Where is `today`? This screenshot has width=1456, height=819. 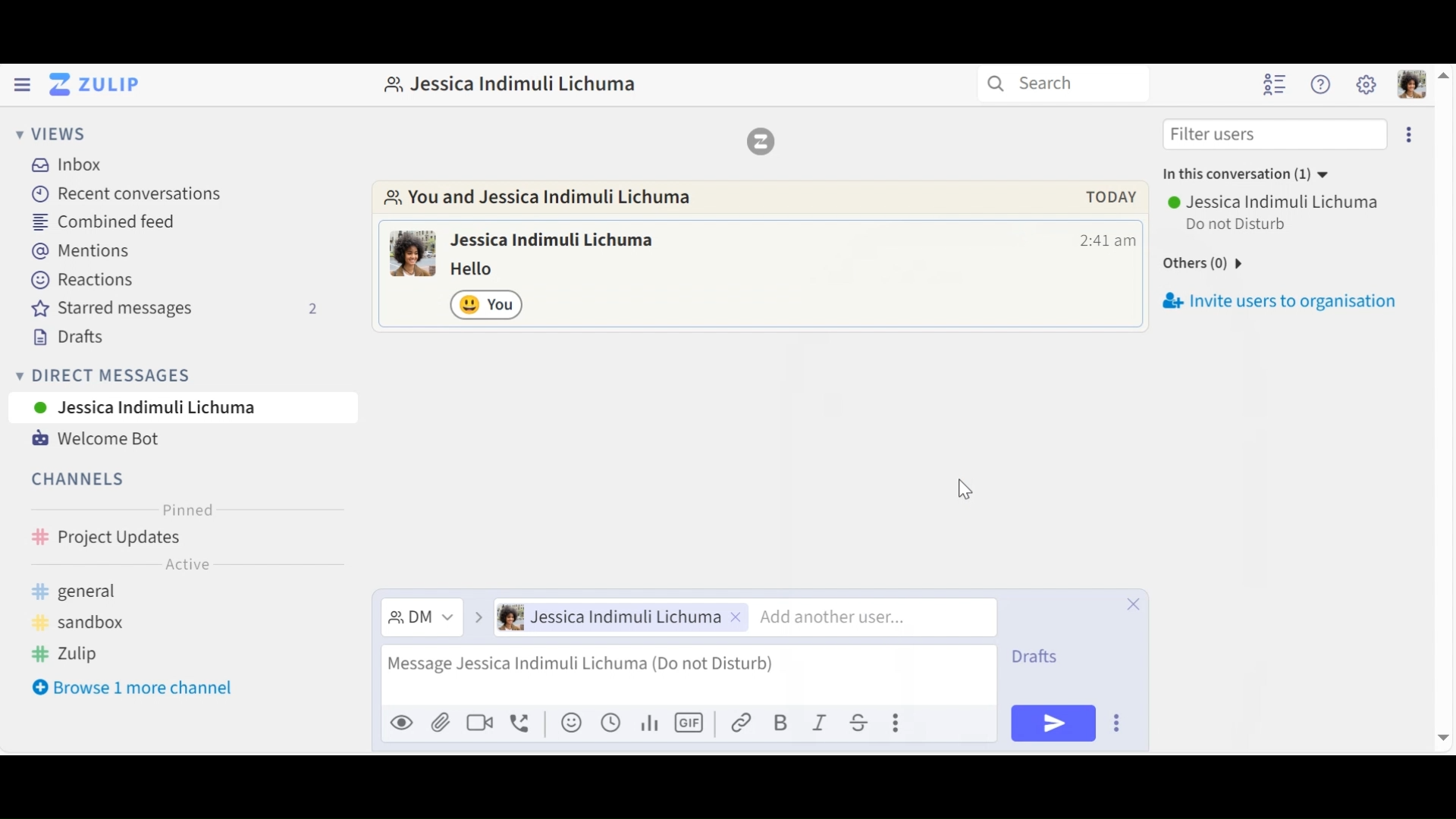 today is located at coordinates (1103, 197).